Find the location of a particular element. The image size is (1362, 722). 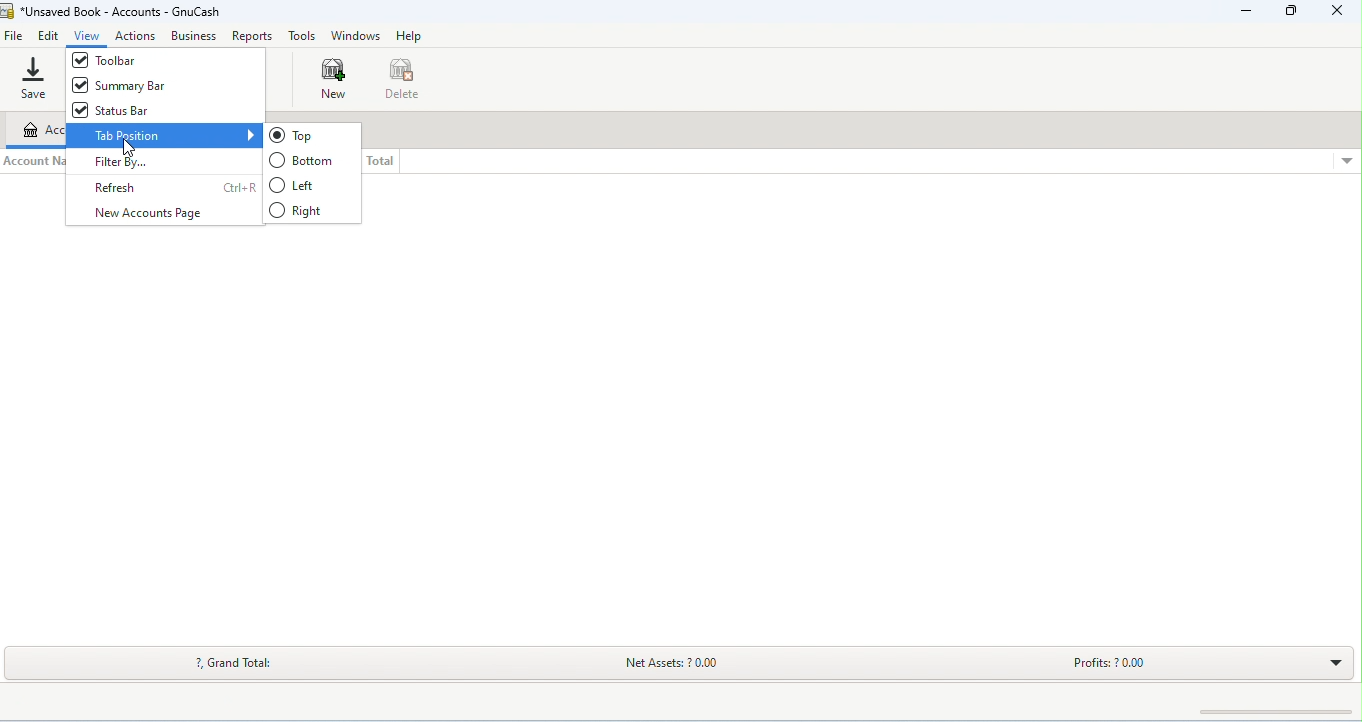

title is located at coordinates (114, 13).